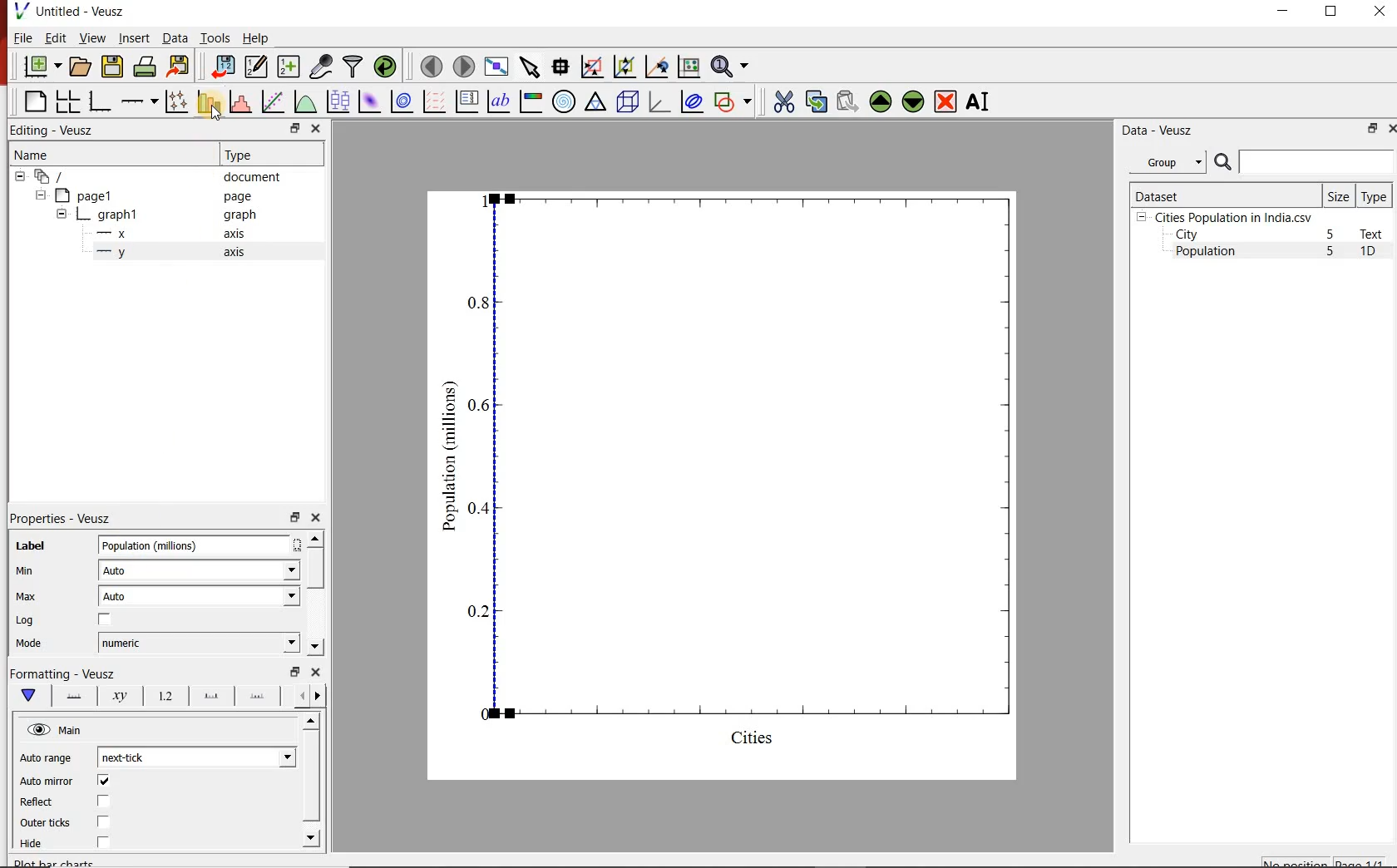  I want to click on scrollbar, so click(315, 594).